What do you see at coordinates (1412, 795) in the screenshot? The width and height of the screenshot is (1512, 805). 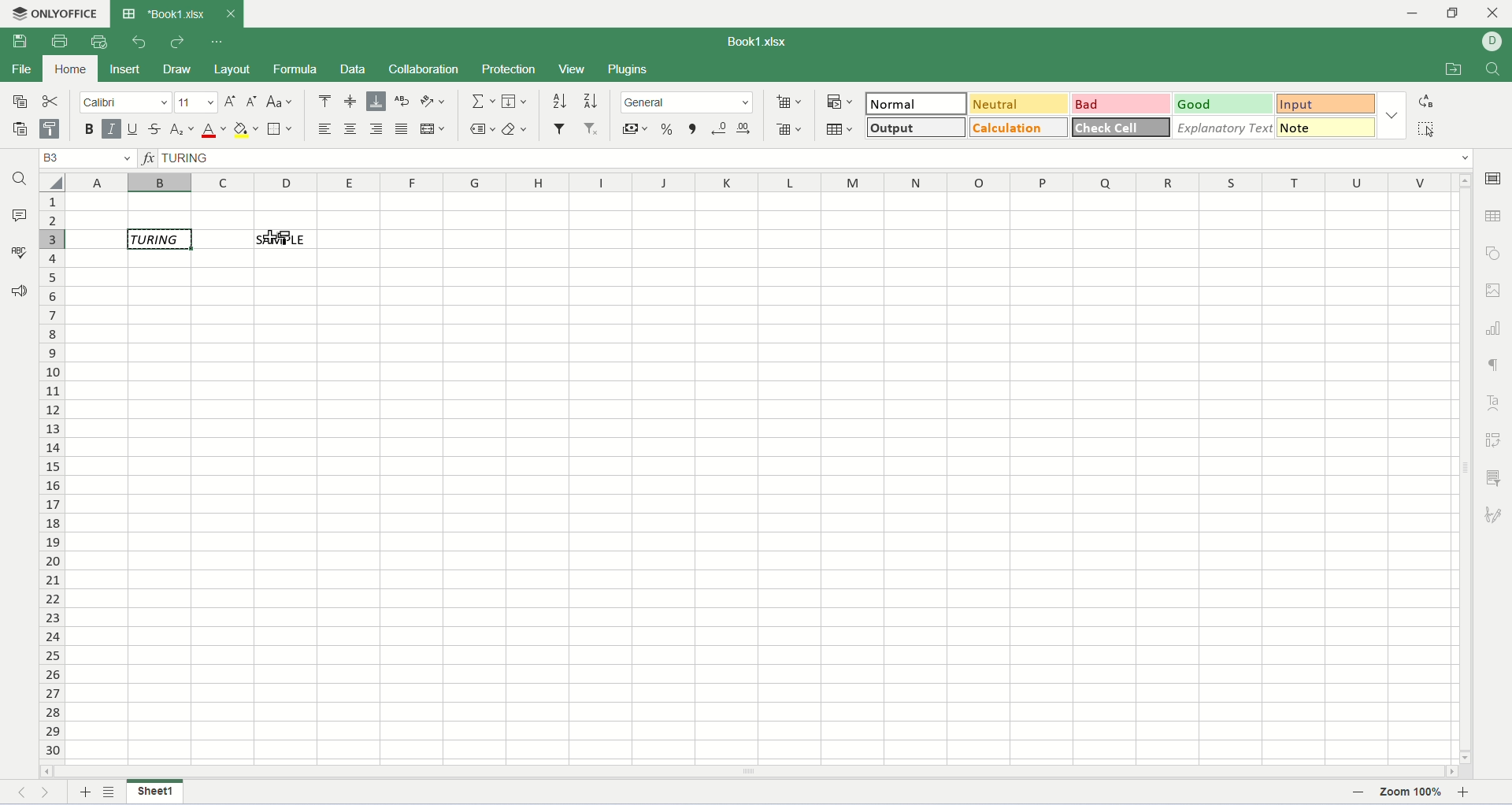 I see `zoom percent` at bounding box center [1412, 795].